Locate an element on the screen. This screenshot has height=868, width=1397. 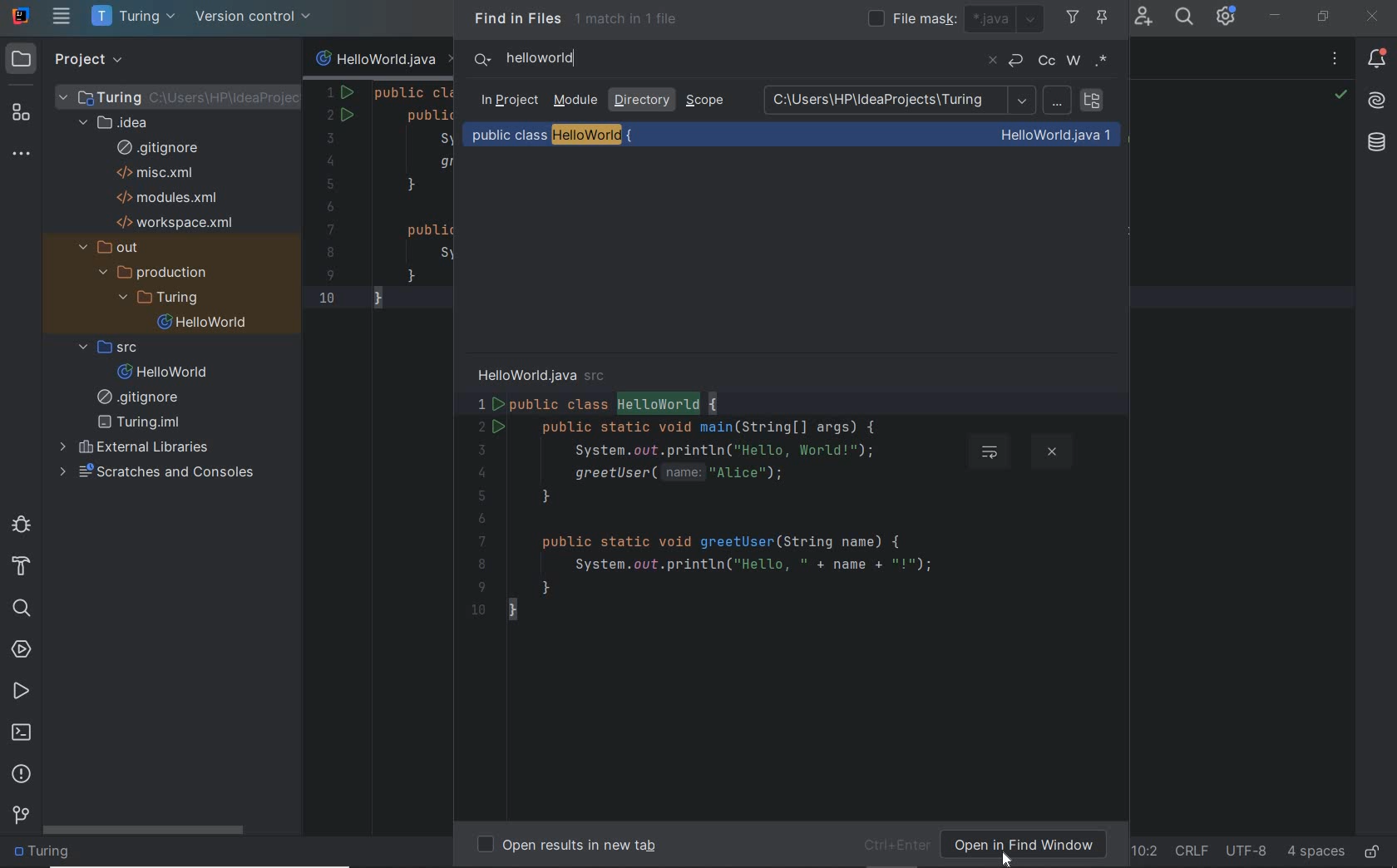
code with me is located at coordinates (1143, 22).